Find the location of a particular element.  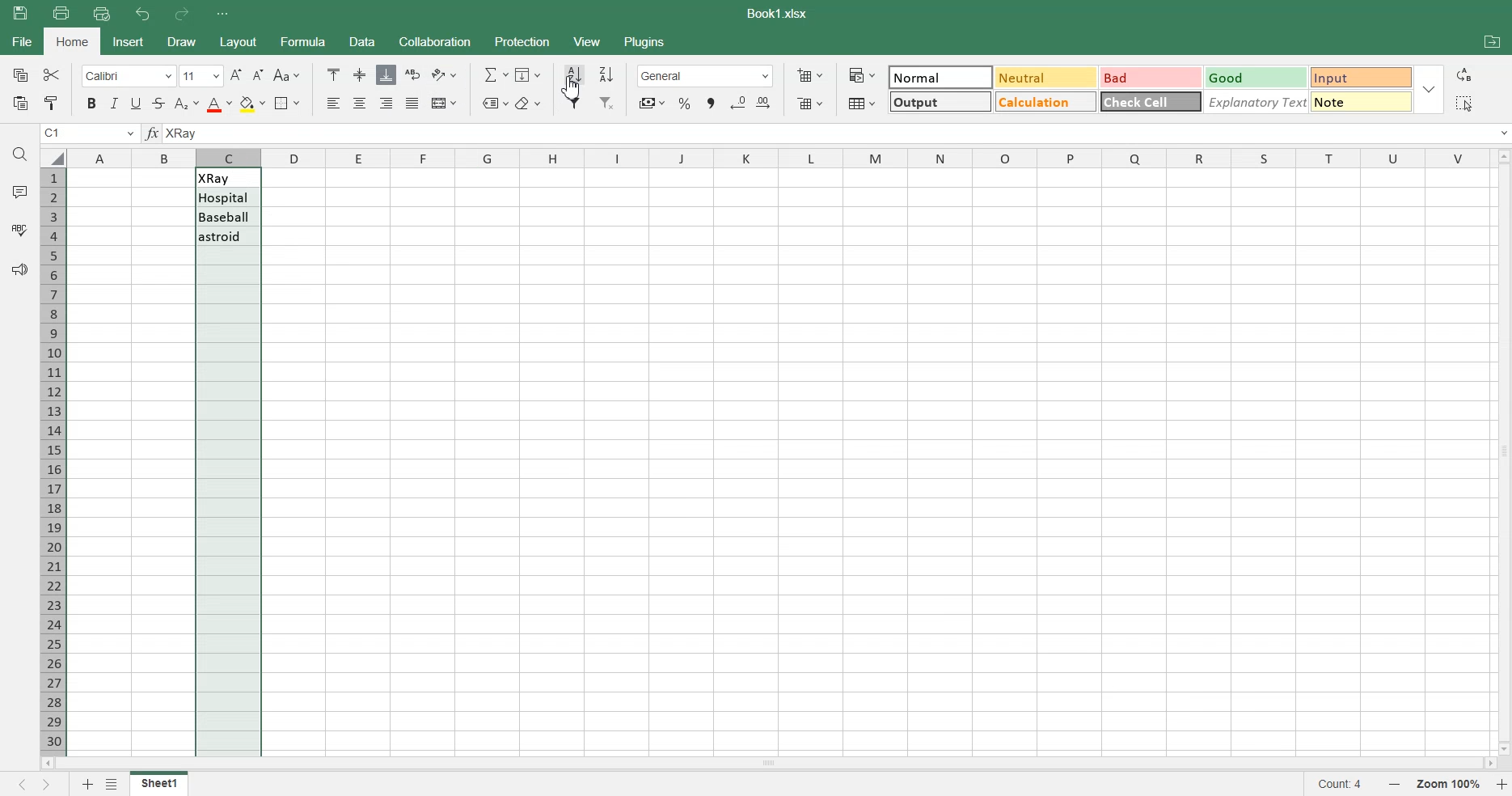

Note is located at coordinates (1363, 105).